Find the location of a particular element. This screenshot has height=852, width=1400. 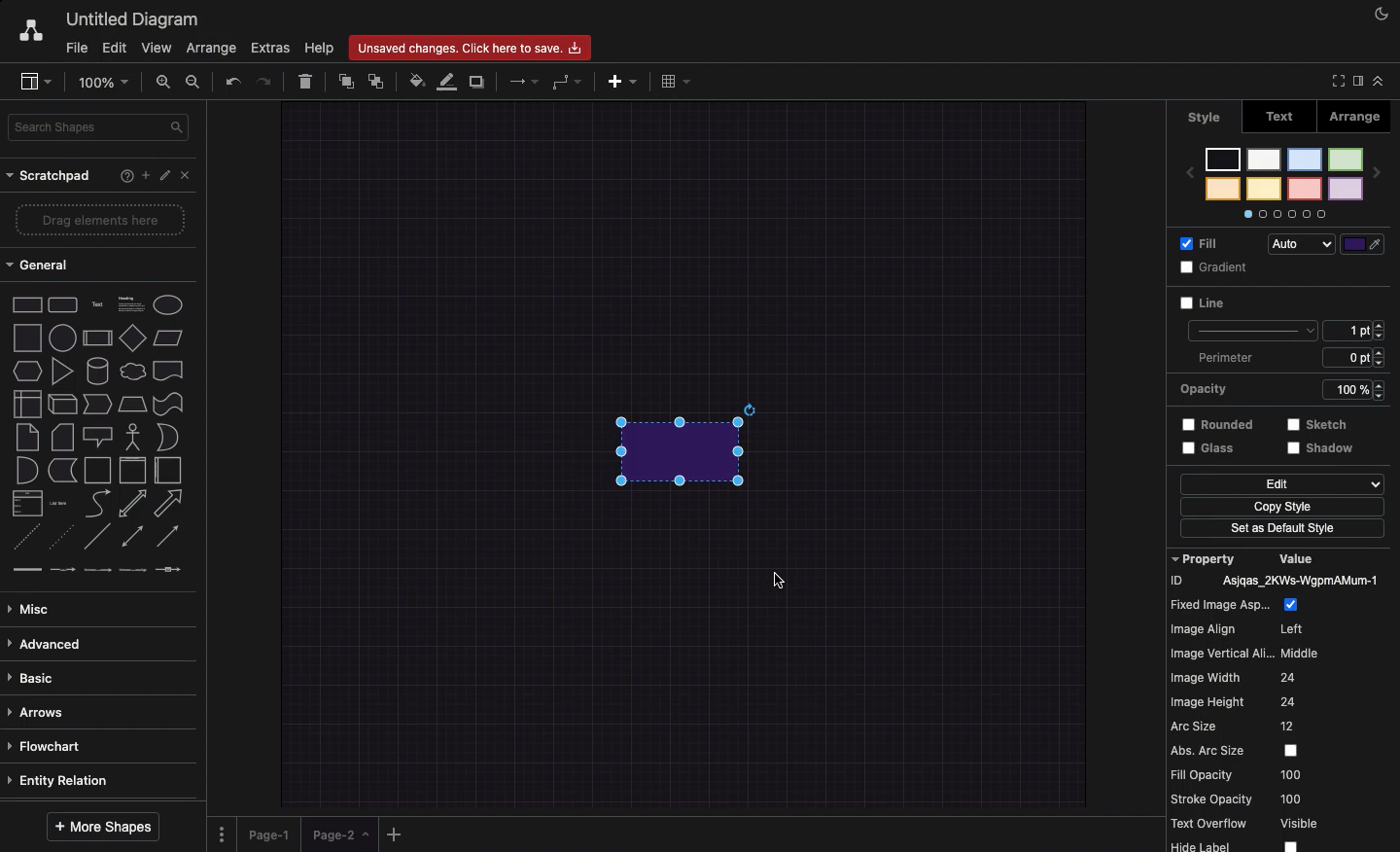

Styles is located at coordinates (1284, 181).